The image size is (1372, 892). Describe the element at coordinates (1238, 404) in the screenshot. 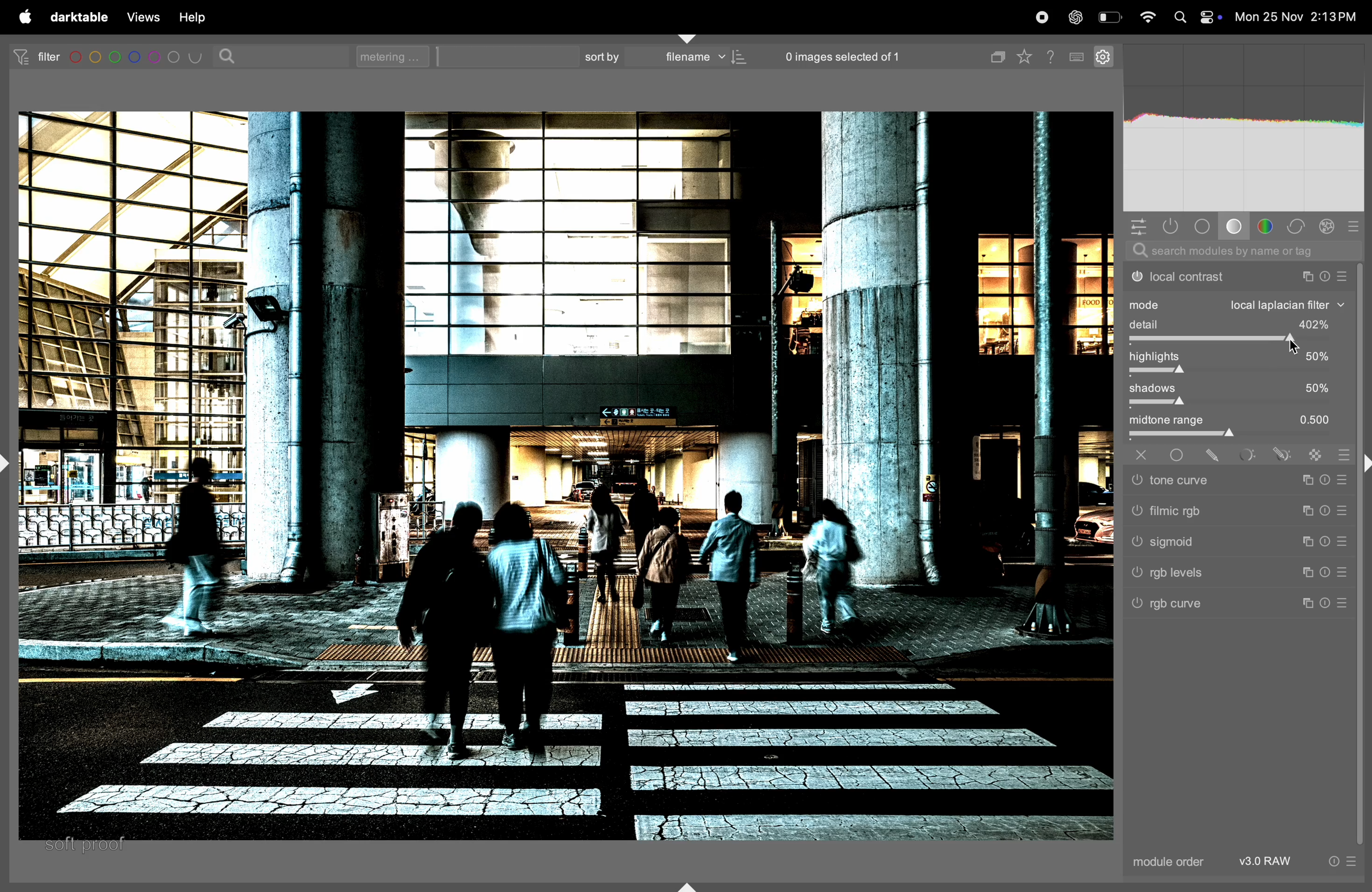

I see `toggle` at that location.